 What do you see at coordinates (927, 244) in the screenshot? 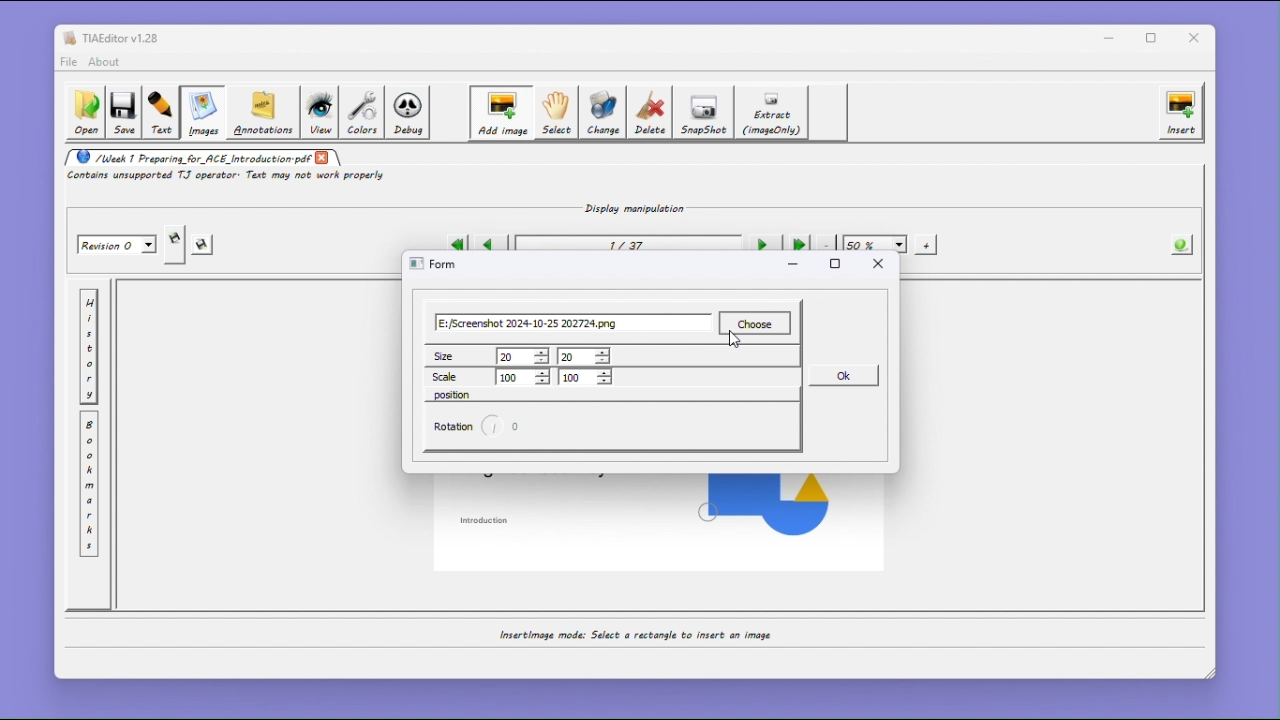
I see `+` at bounding box center [927, 244].